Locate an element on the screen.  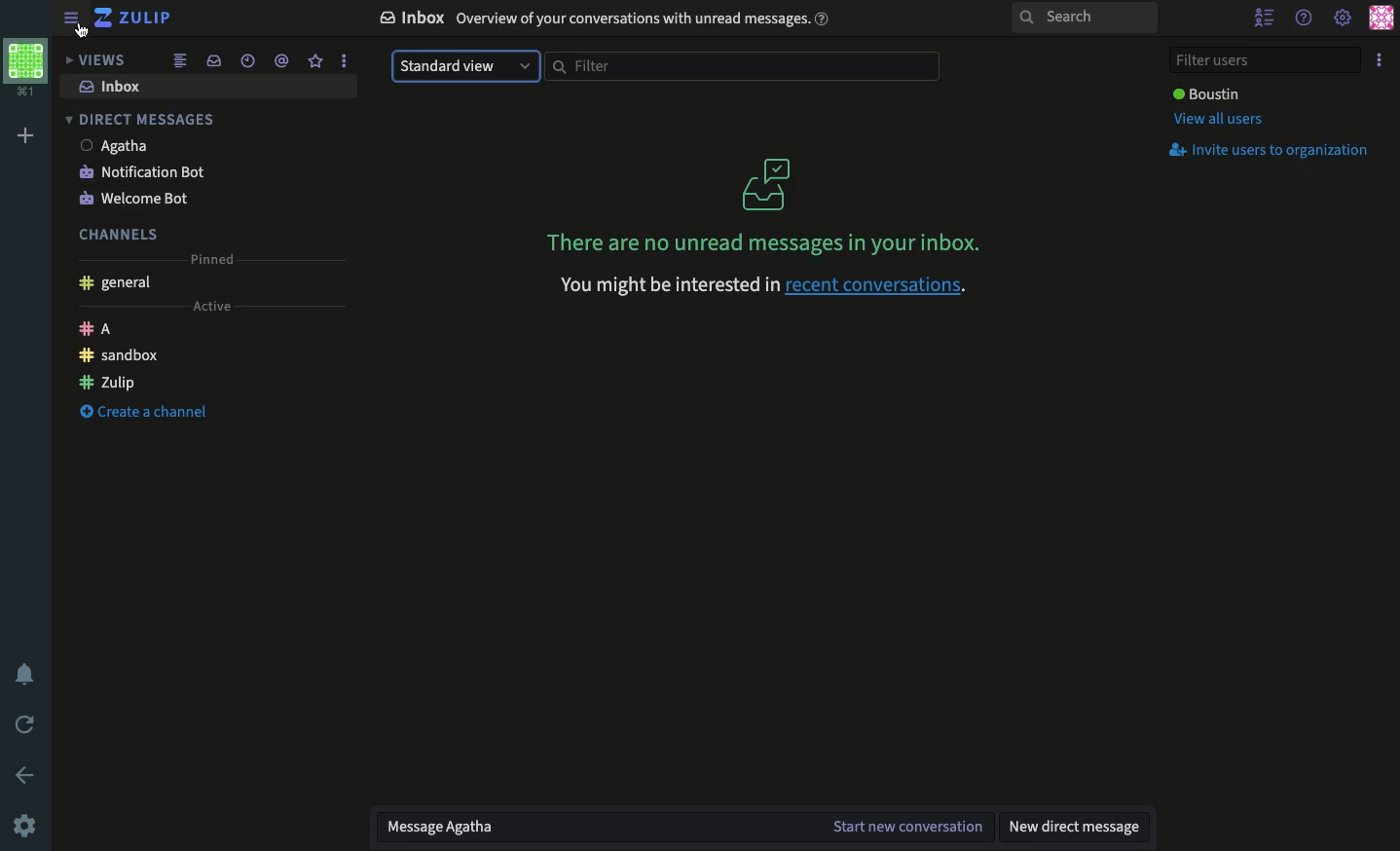
Inbox is located at coordinates (211, 88).